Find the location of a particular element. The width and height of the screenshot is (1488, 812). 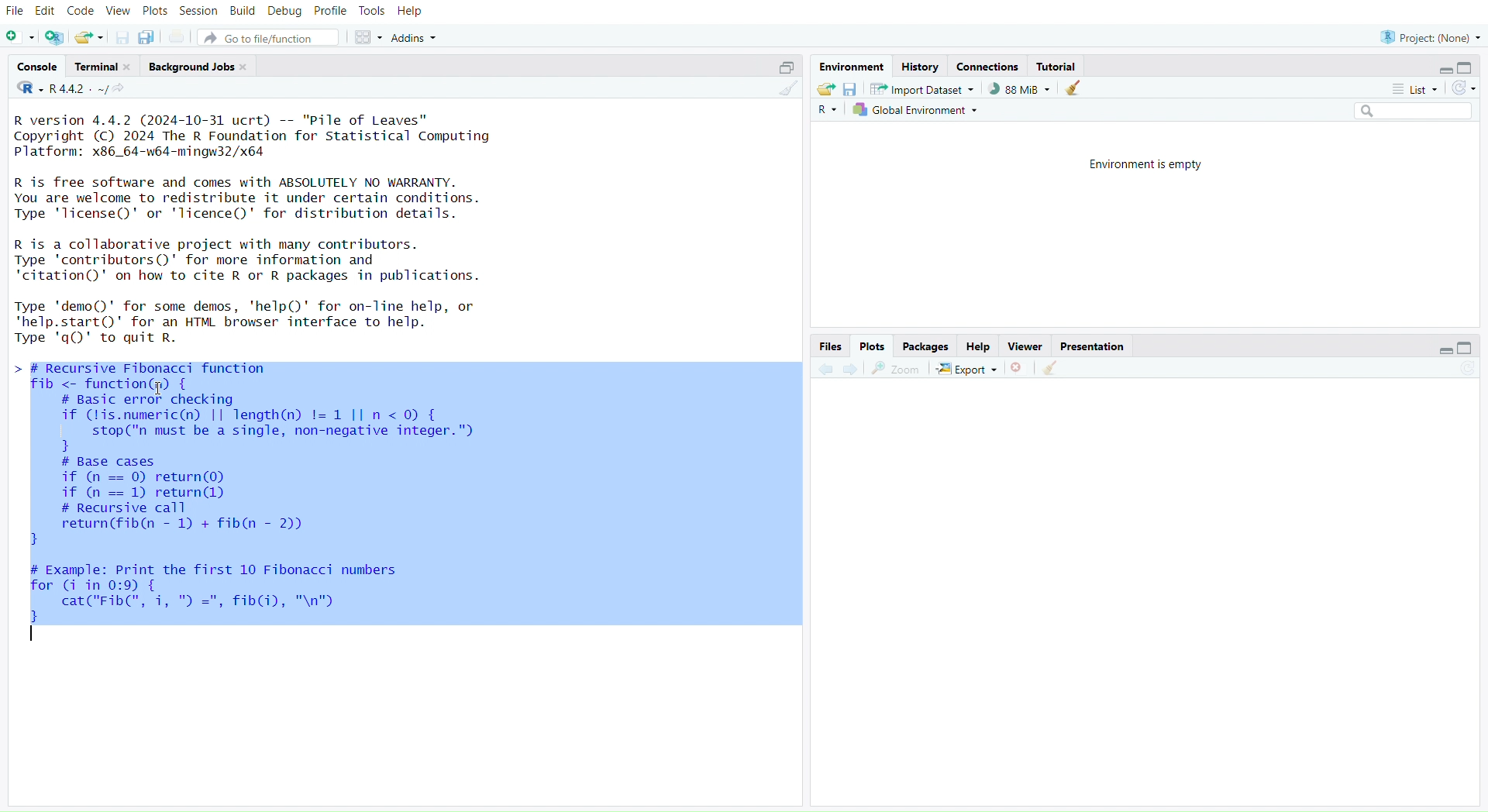

list is located at coordinates (1410, 91).